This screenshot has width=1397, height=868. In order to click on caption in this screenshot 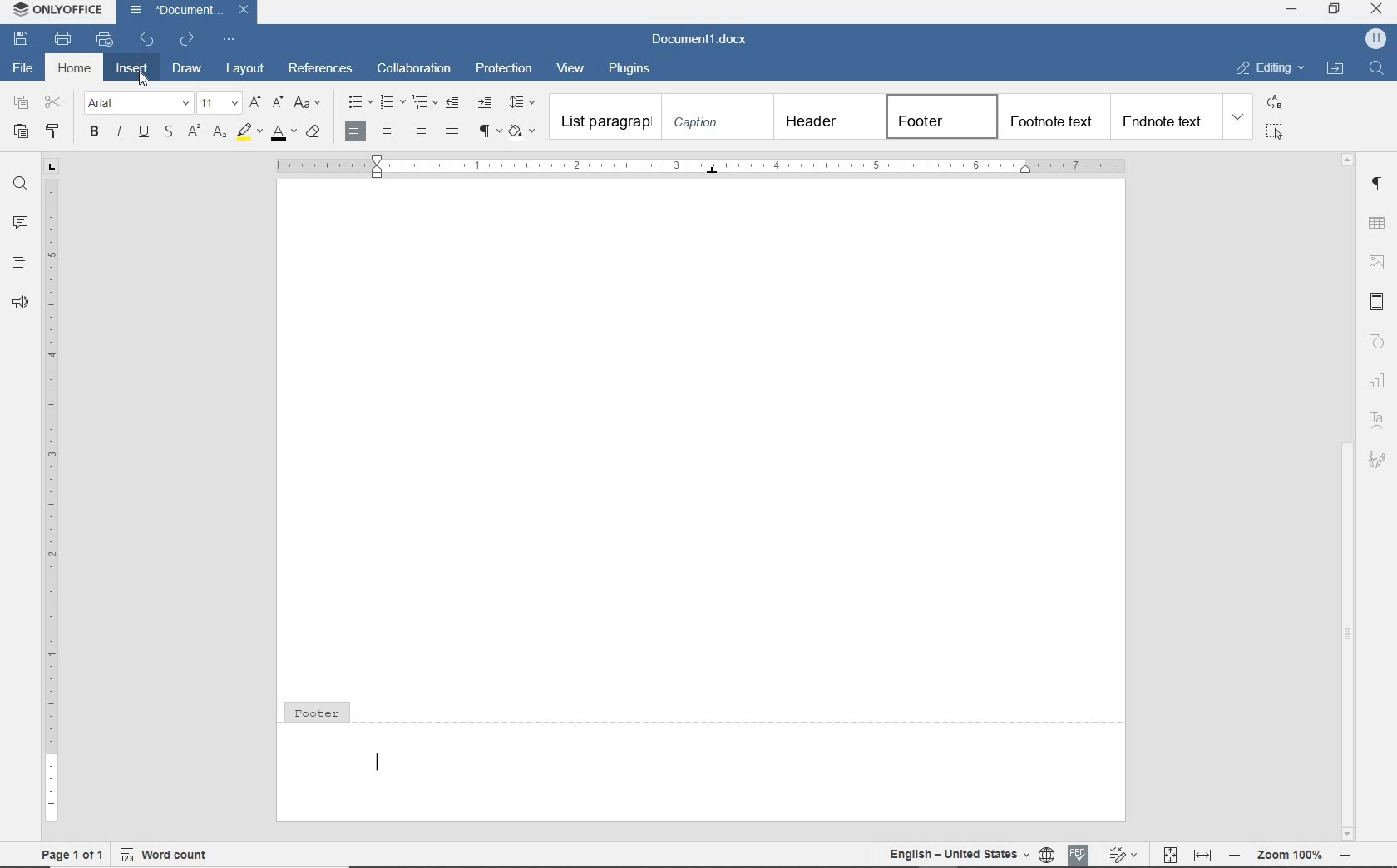, I will do `click(720, 117)`.